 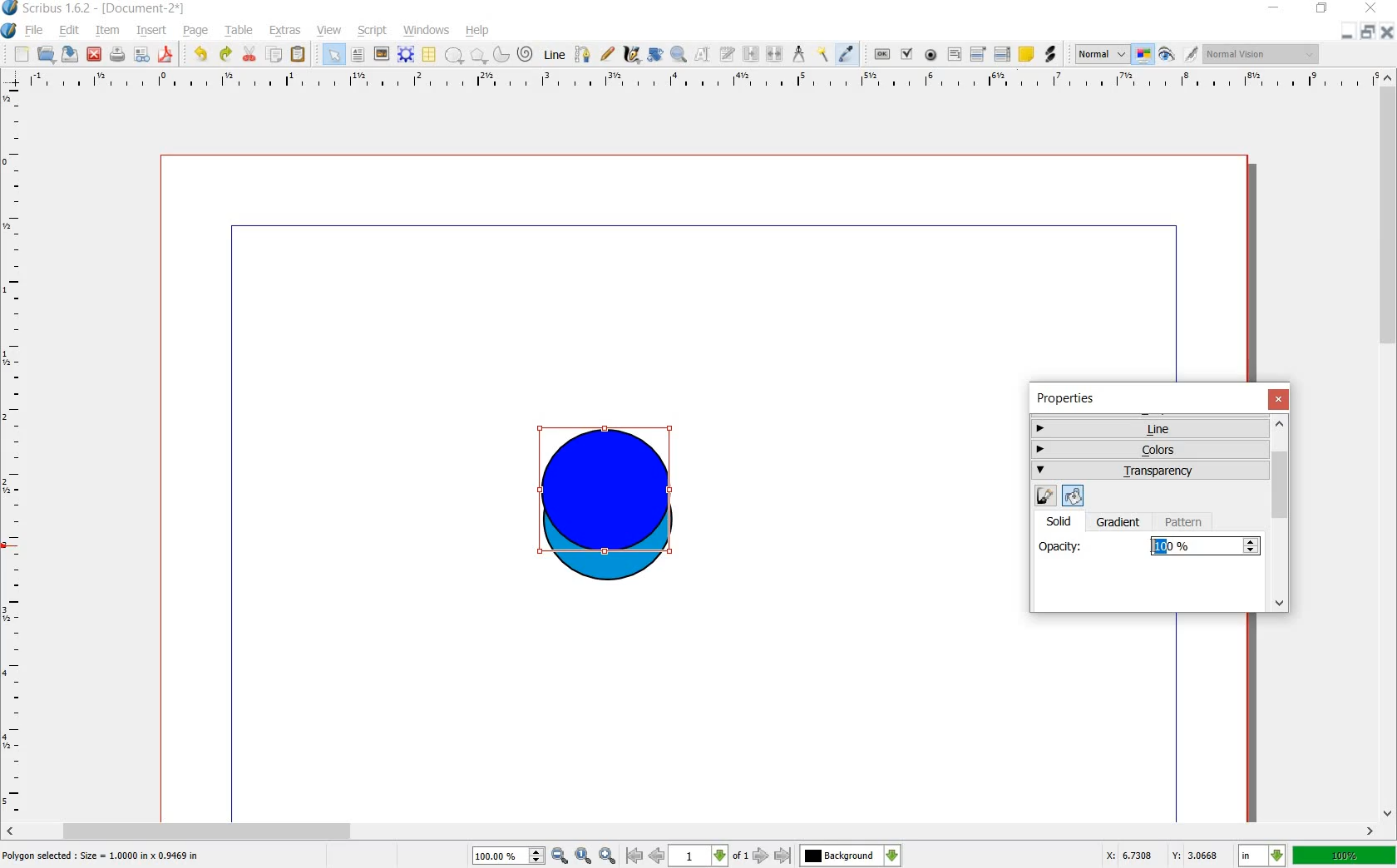 What do you see at coordinates (13, 451) in the screenshot?
I see `ruler` at bounding box center [13, 451].